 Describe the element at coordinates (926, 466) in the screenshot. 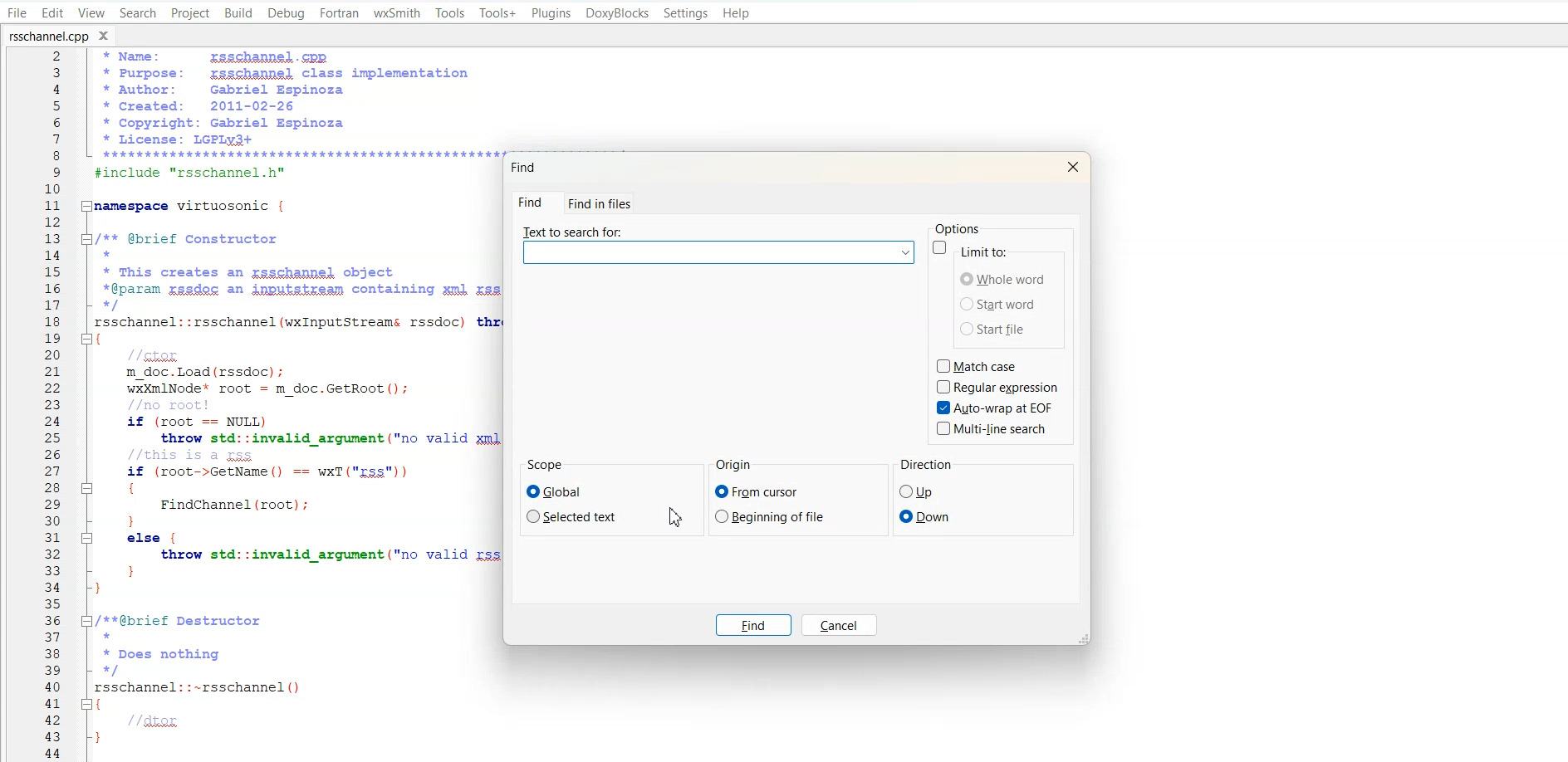

I see `Direction` at that location.